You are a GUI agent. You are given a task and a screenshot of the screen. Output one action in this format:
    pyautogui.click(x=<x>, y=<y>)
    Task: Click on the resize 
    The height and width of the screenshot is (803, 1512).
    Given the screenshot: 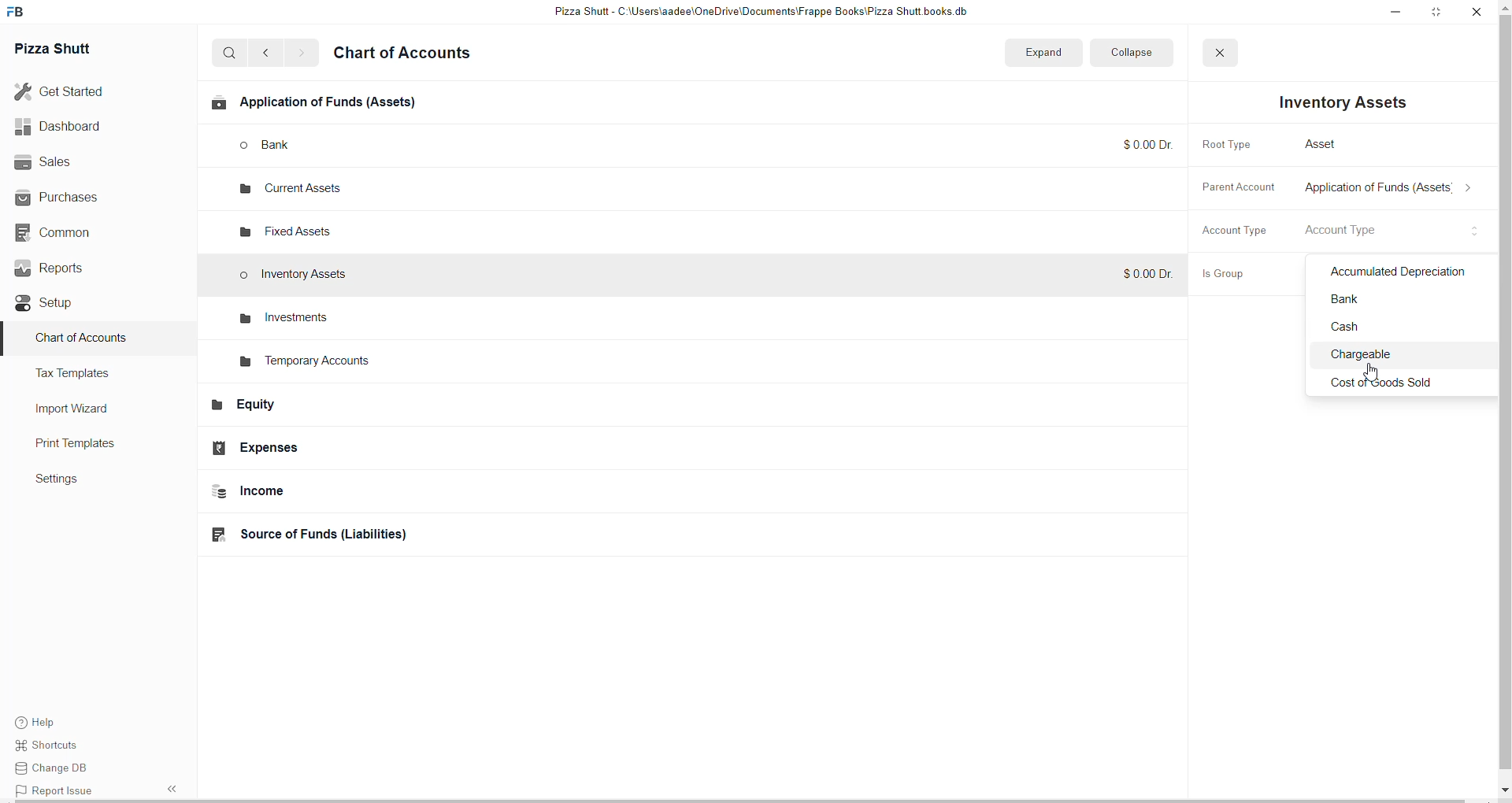 What is the action you would take?
    pyautogui.click(x=1434, y=13)
    